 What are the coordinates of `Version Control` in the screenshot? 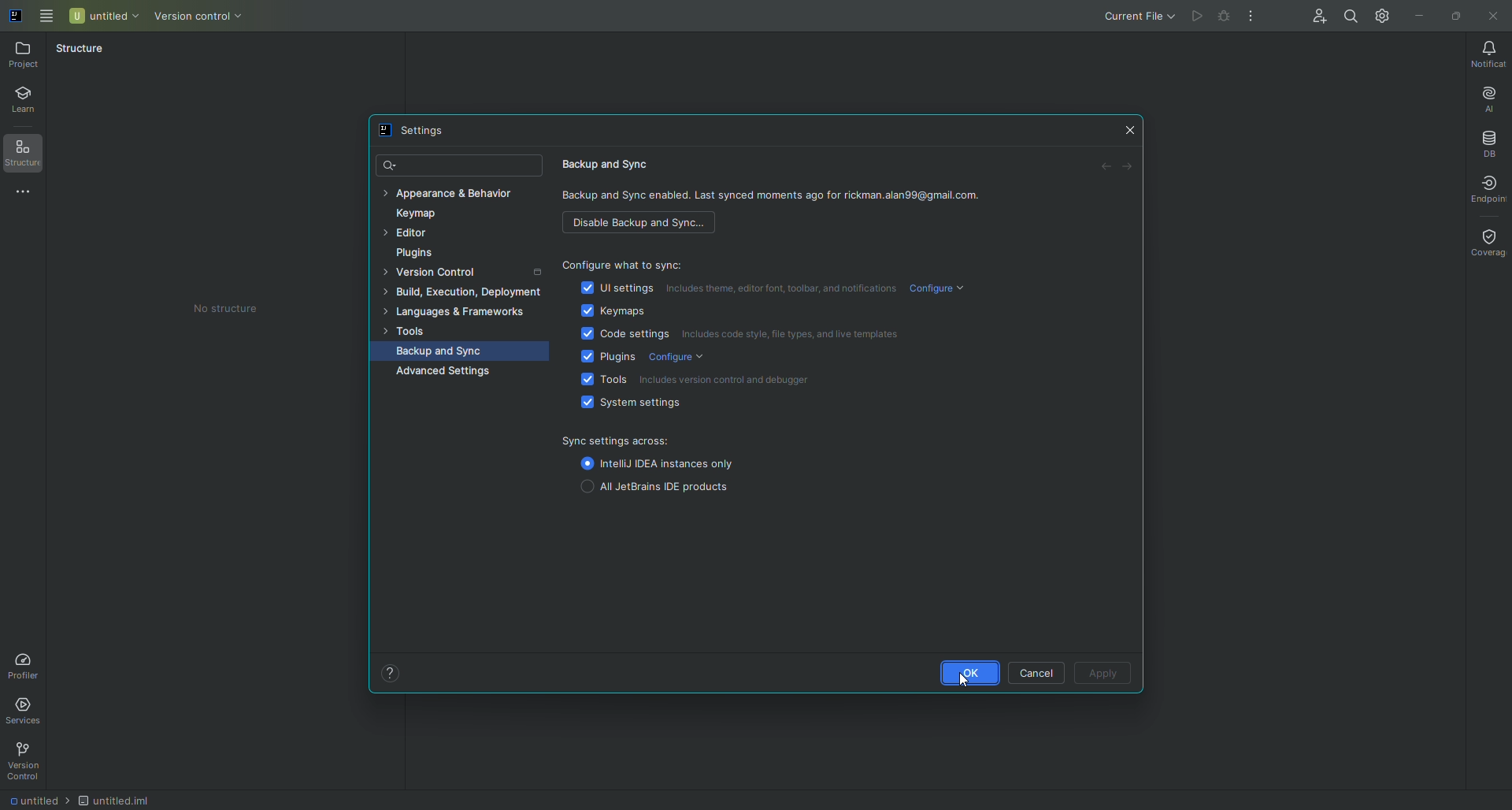 It's located at (212, 17).